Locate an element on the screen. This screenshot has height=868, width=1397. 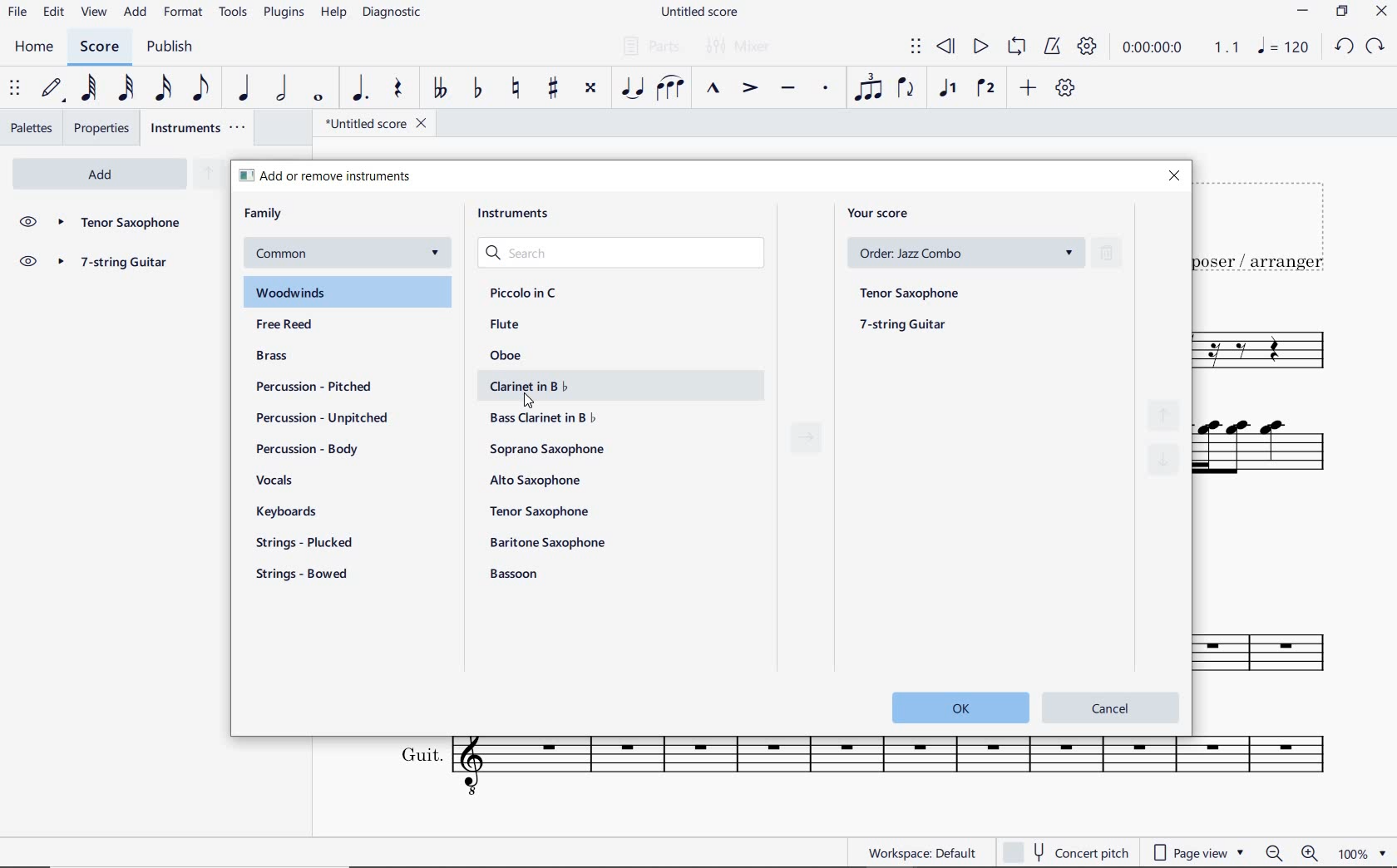
TOGGLE-DOUBLE FLAT is located at coordinates (437, 88).